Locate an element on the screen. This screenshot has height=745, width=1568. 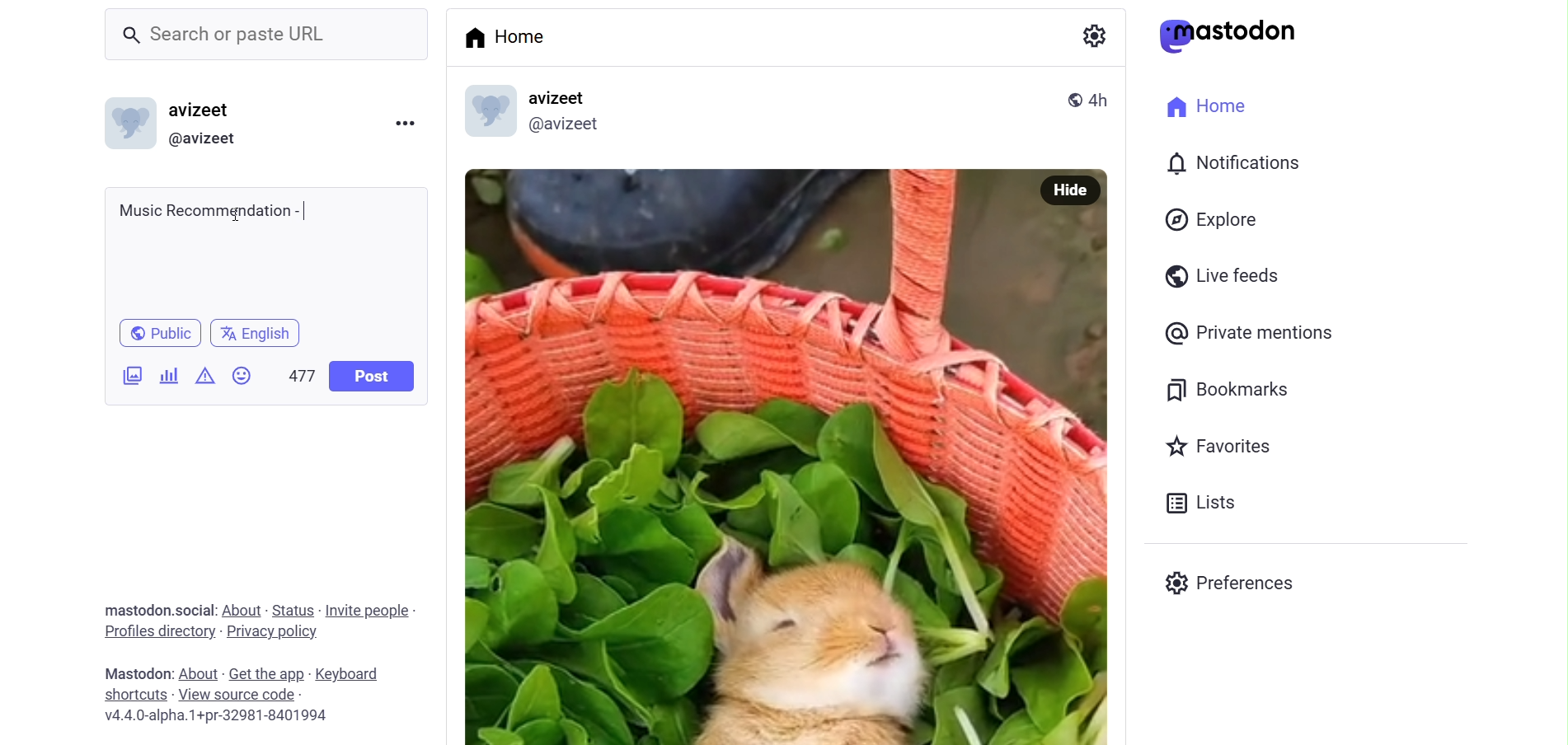
mastodon is located at coordinates (135, 673).